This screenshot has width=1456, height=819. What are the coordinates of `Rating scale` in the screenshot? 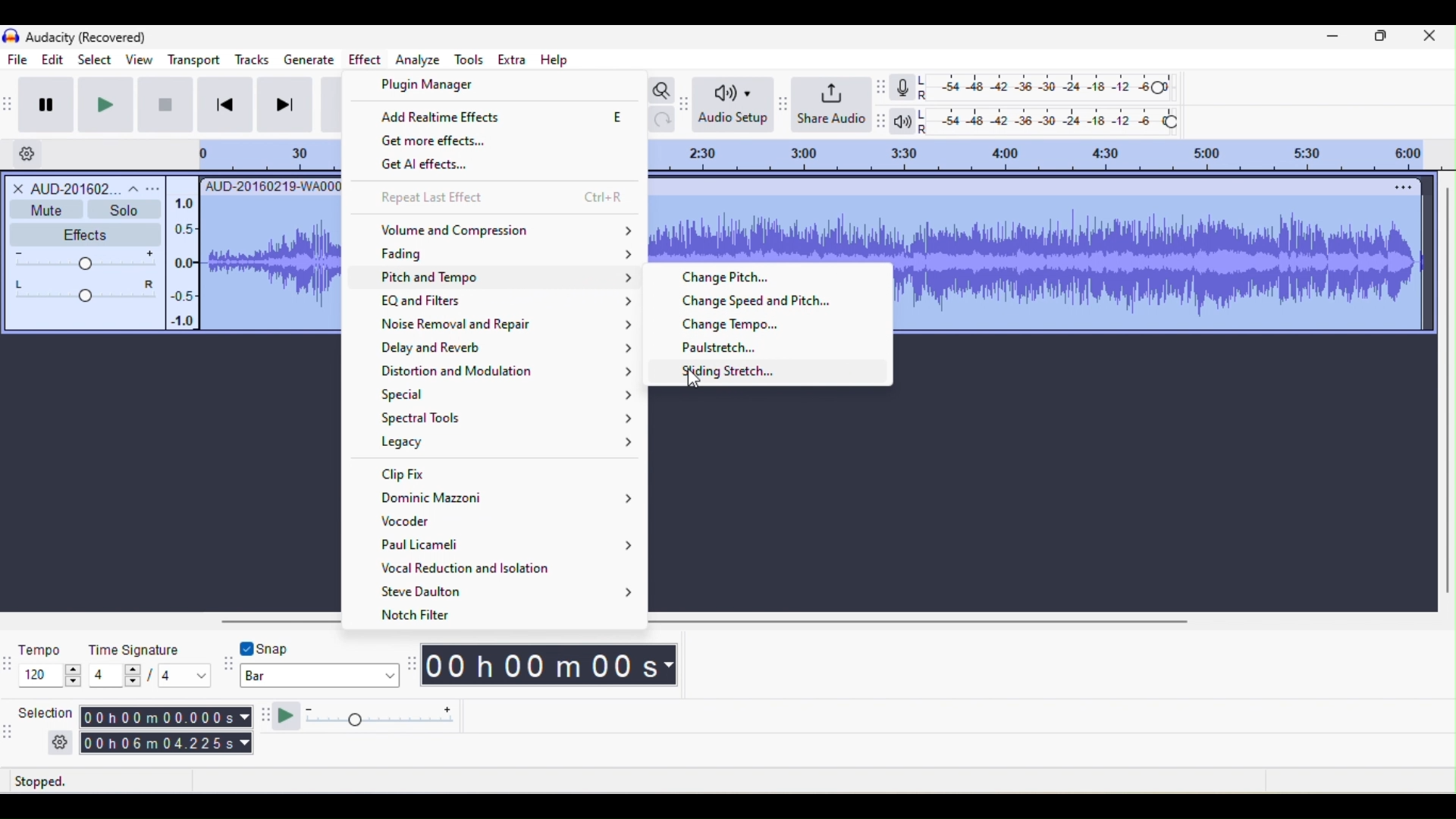 It's located at (1052, 155).